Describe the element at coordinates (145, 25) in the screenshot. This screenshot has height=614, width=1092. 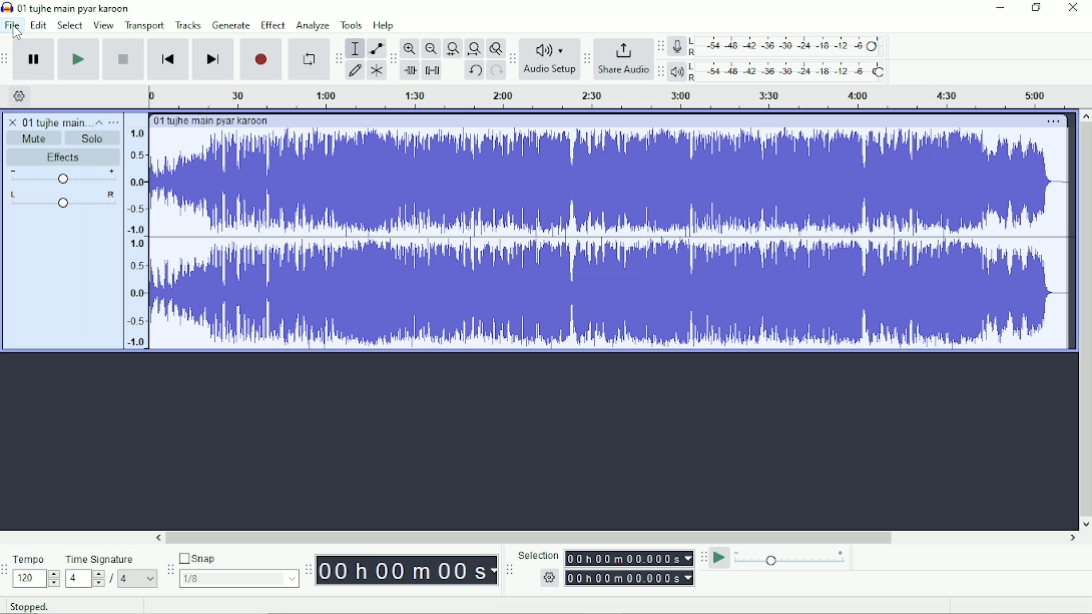
I see `Transport` at that location.